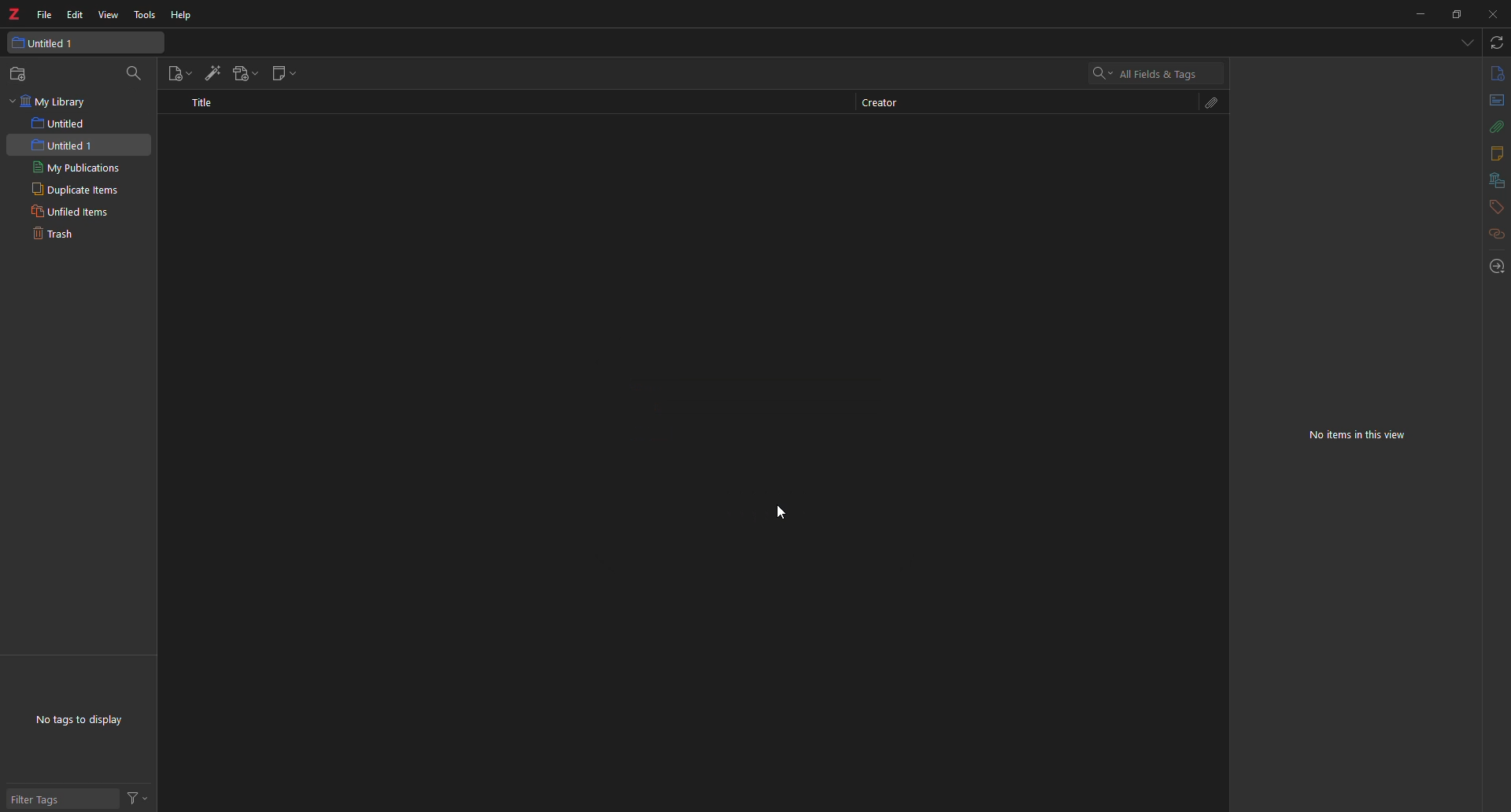  What do you see at coordinates (1493, 153) in the screenshot?
I see `notes` at bounding box center [1493, 153].